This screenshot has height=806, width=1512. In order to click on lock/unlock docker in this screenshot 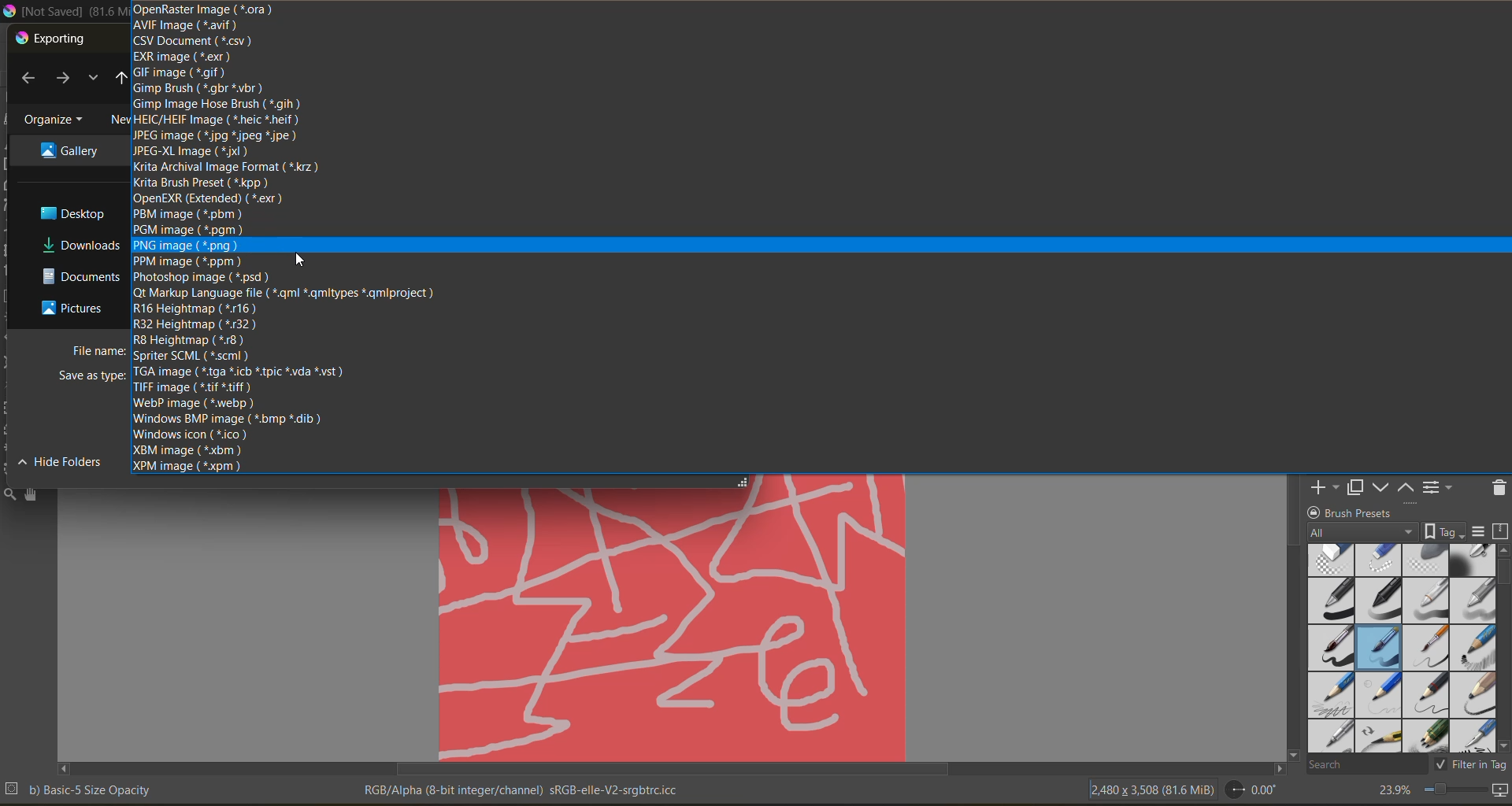, I will do `click(1316, 511)`.